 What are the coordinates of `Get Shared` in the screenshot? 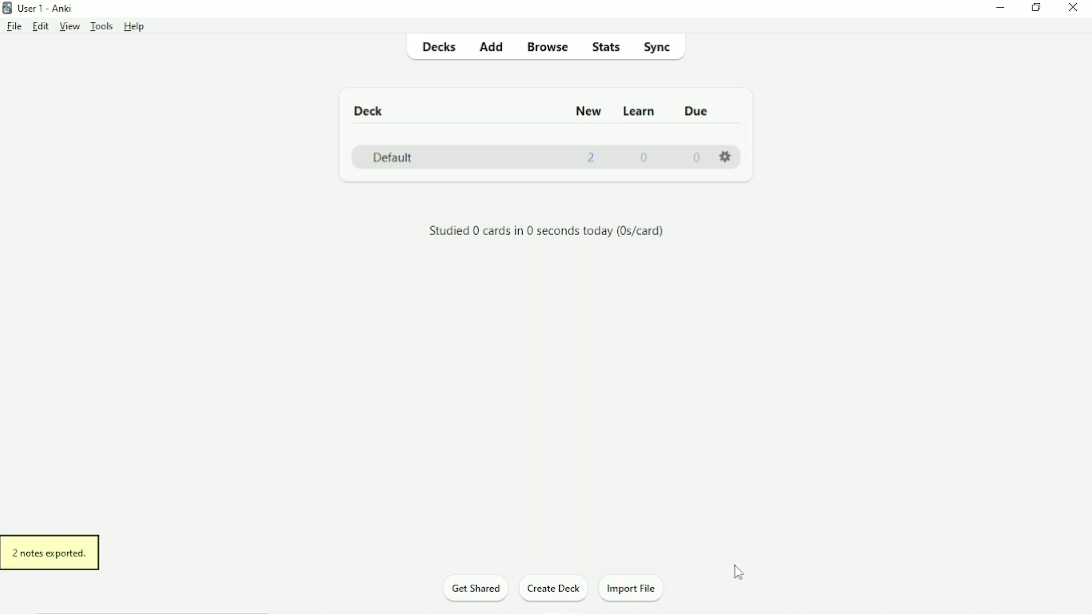 It's located at (476, 588).